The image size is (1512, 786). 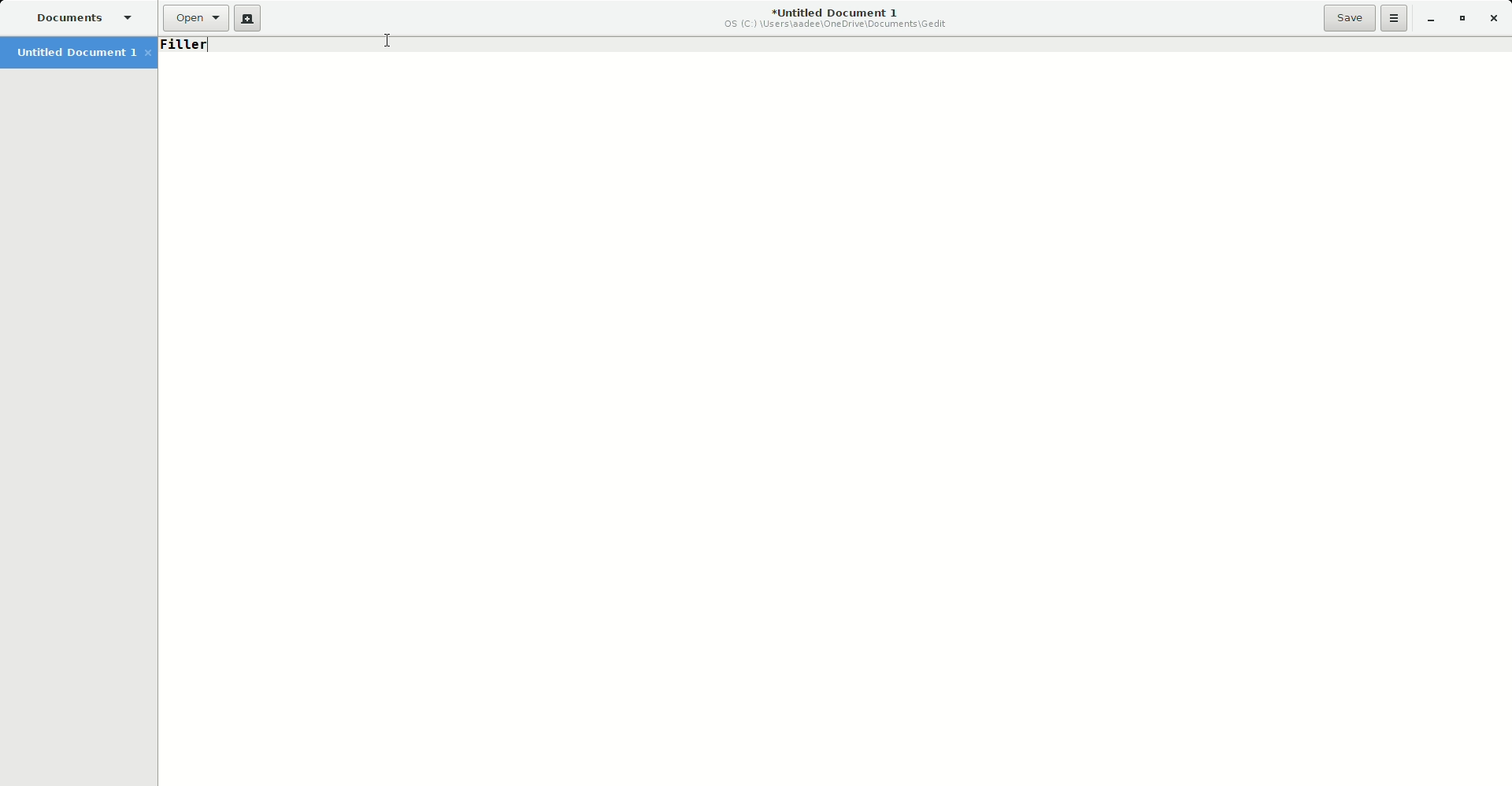 I want to click on Save, so click(x=1349, y=17).